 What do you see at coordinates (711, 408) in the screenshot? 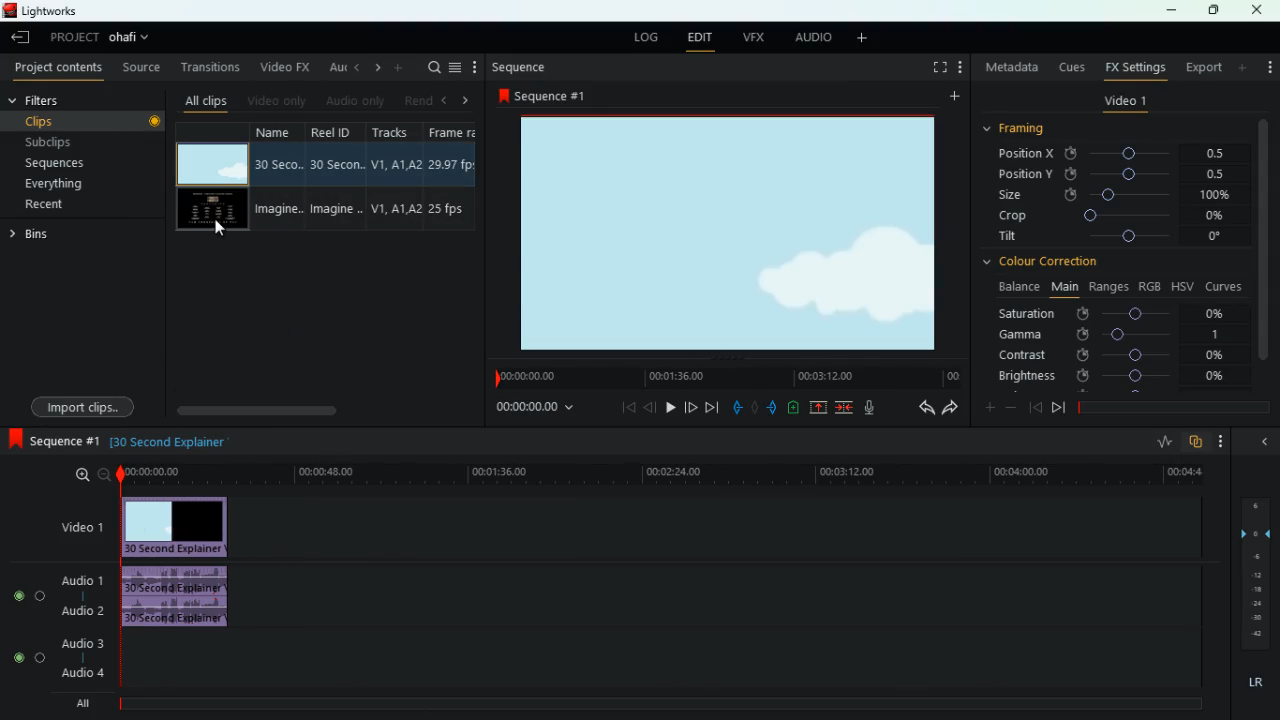
I see `forward` at bounding box center [711, 408].